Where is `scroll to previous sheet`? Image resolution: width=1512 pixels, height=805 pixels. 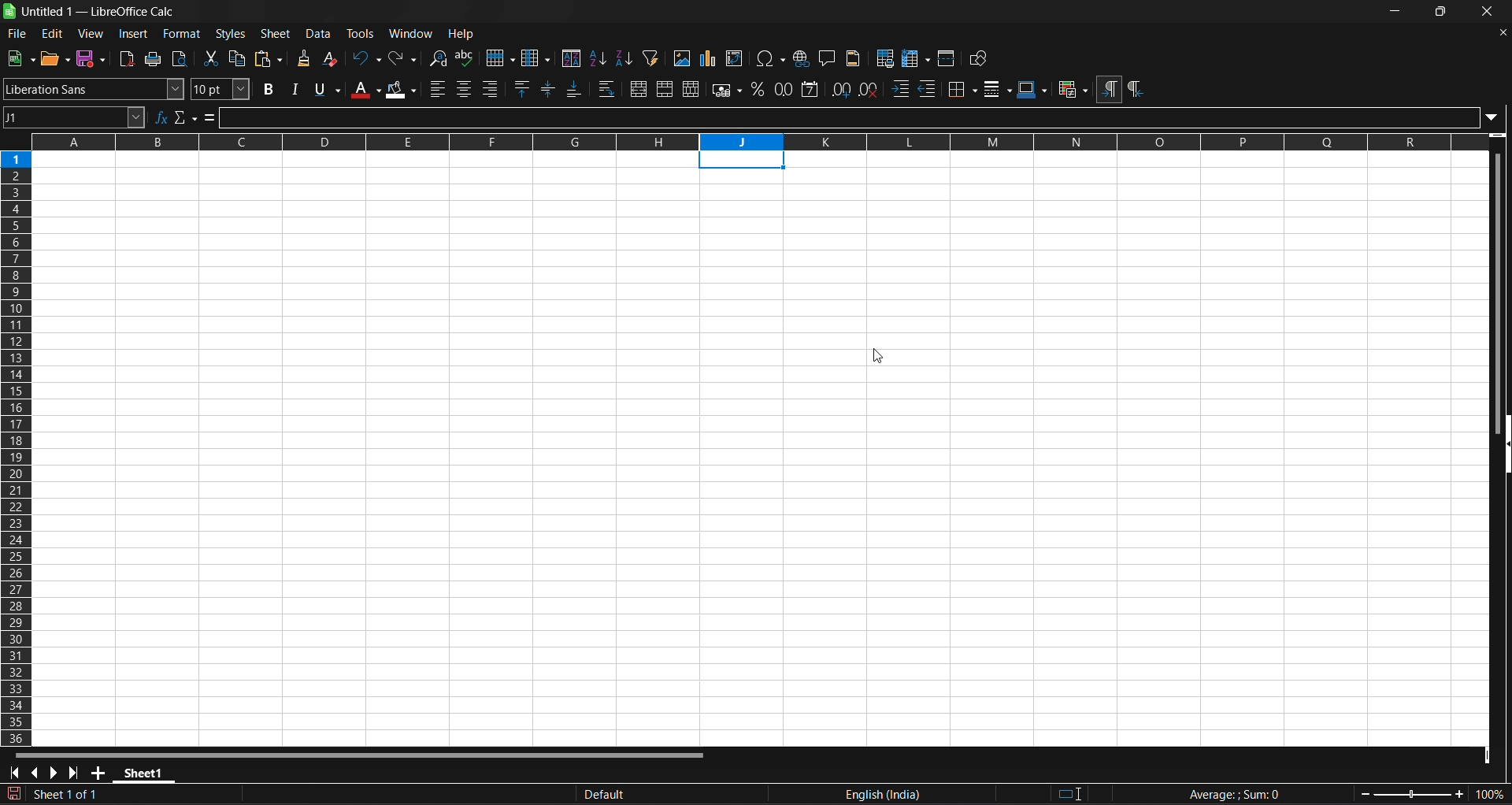
scroll to previous sheet is located at coordinates (36, 772).